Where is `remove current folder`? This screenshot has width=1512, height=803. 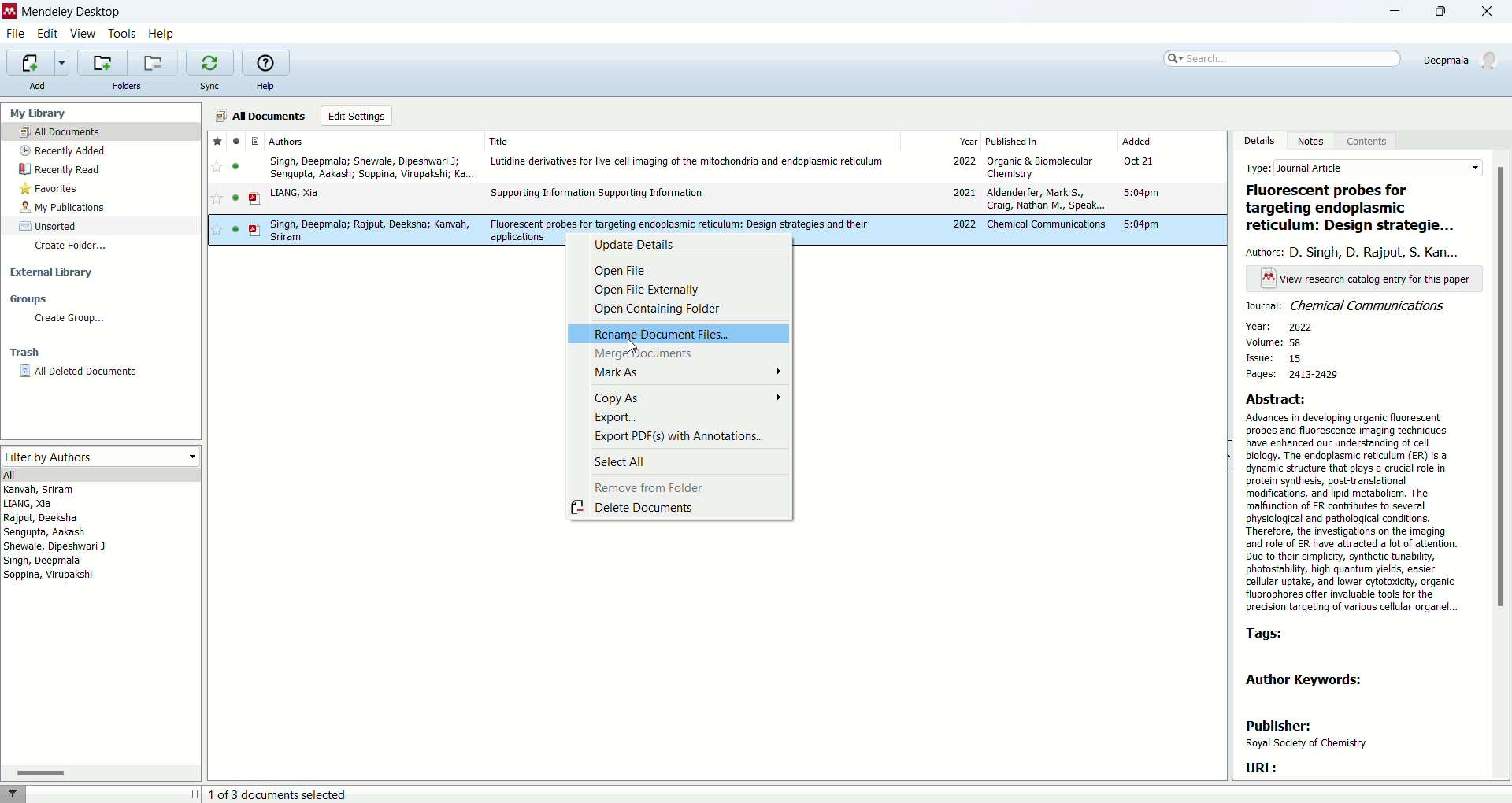 remove current folder is located at coordinates (155, 63).